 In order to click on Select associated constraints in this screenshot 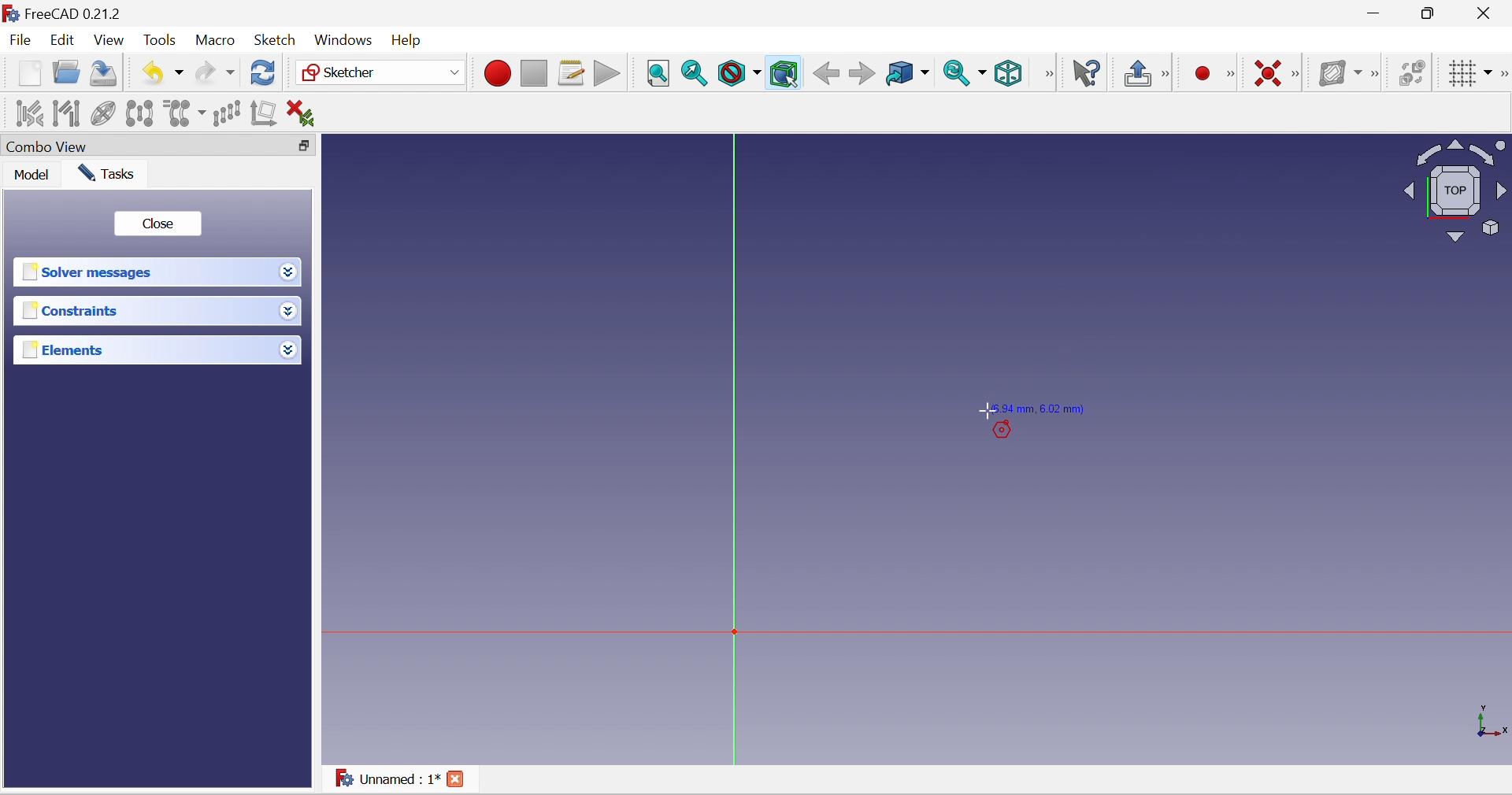, I will do `click(29, 113)`.